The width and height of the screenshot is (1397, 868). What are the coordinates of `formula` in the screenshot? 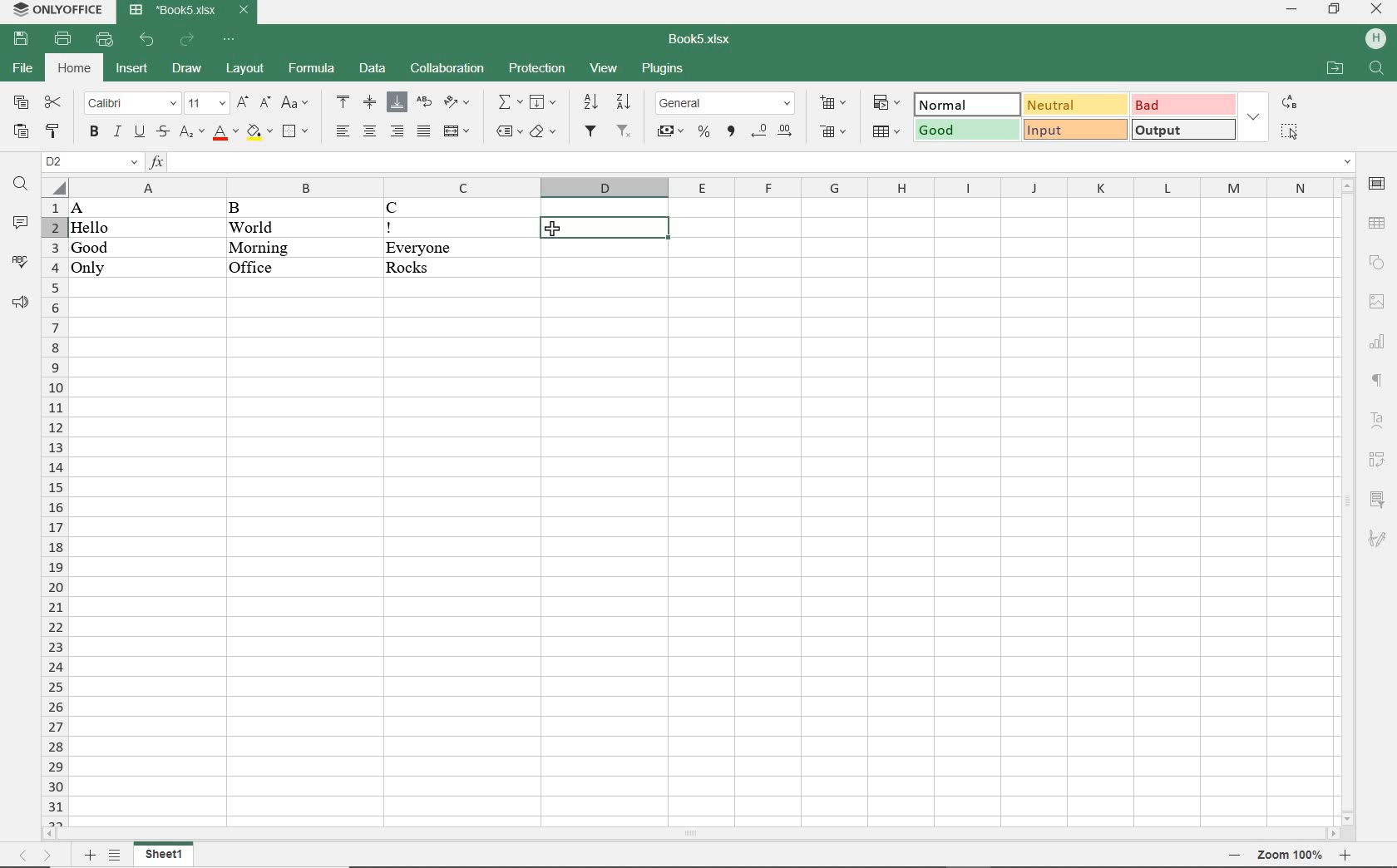 It's located at (313, 70).